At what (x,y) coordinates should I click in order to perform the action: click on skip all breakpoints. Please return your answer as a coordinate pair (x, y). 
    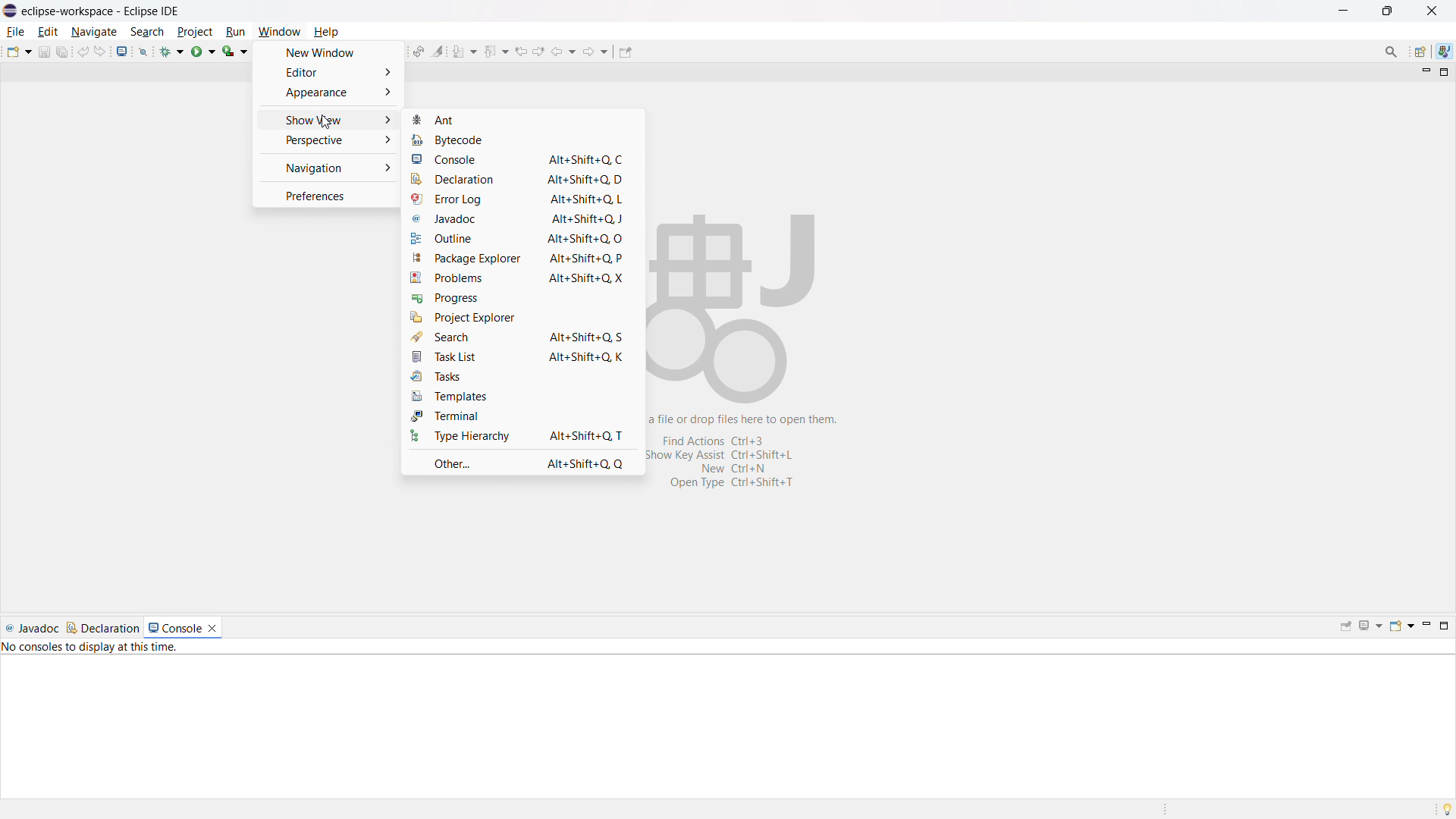
    Looking at the image, I should click on (143, 52).